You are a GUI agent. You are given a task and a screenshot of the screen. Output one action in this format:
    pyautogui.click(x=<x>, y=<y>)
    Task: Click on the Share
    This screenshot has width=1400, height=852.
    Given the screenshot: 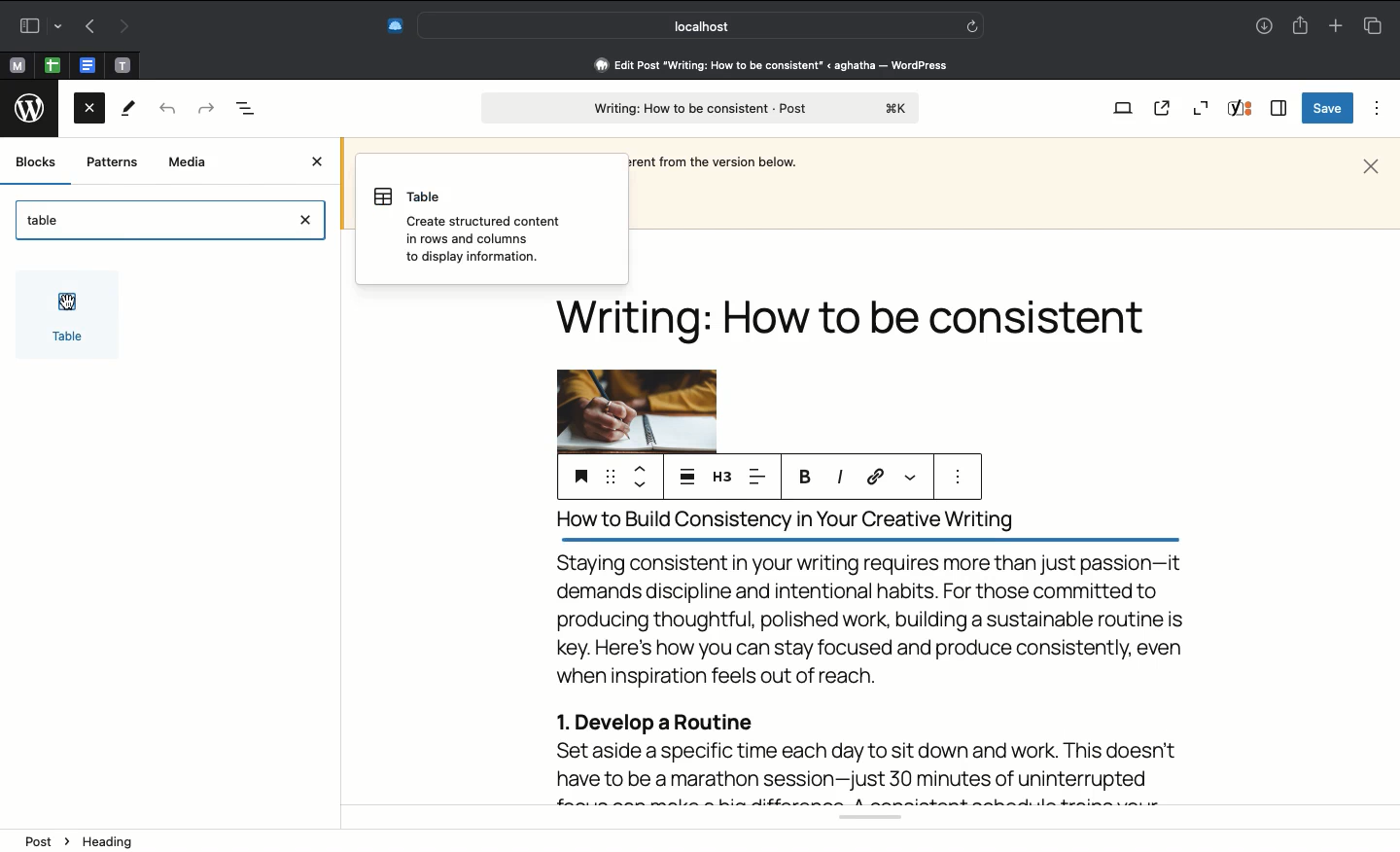 What is the action you would take?
    pyautogui.click(x=1302, y=26)
    